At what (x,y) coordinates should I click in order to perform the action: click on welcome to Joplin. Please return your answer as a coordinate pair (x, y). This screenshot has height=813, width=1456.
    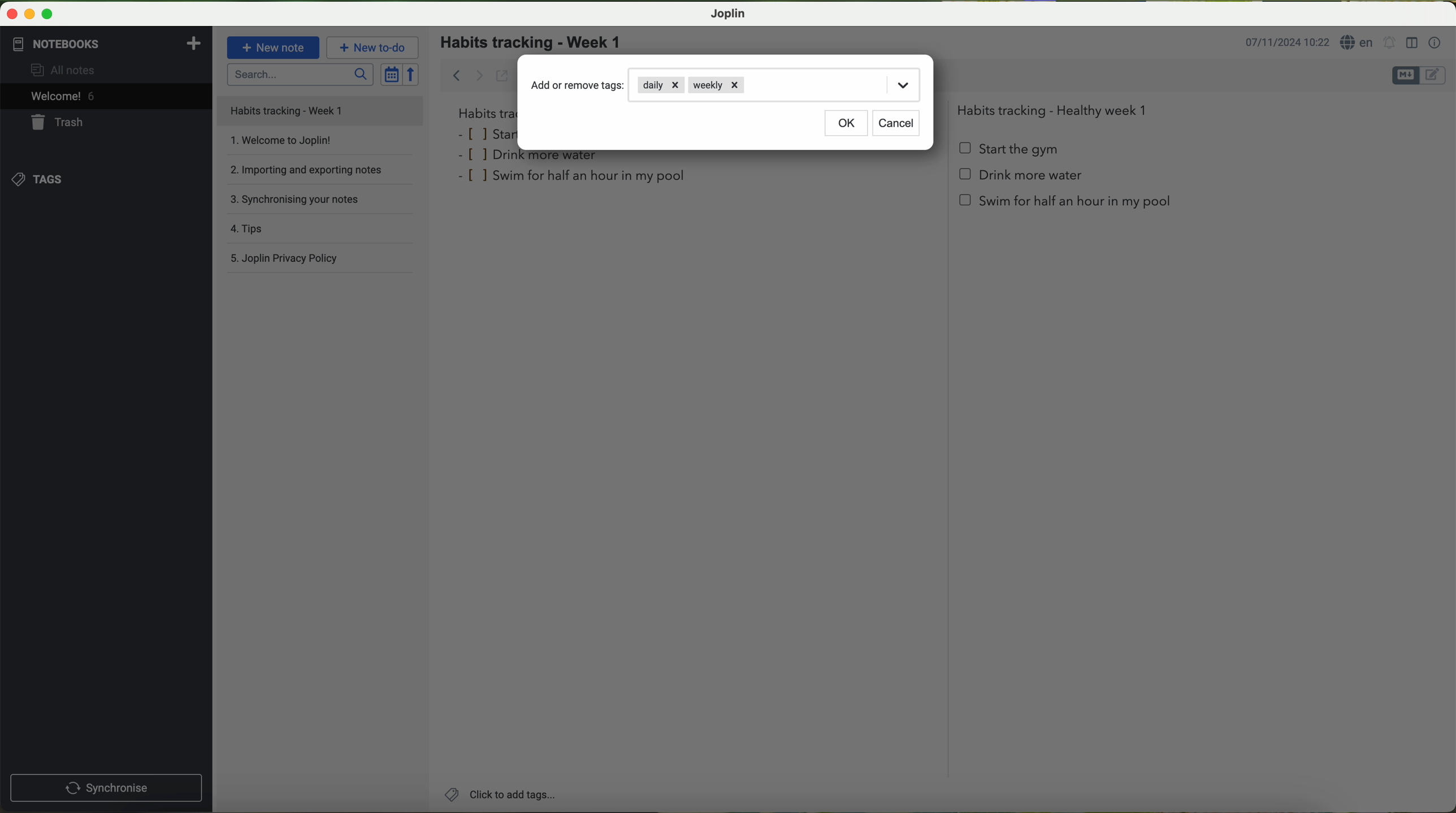
    Looking at the image, I should click on (319, 145).